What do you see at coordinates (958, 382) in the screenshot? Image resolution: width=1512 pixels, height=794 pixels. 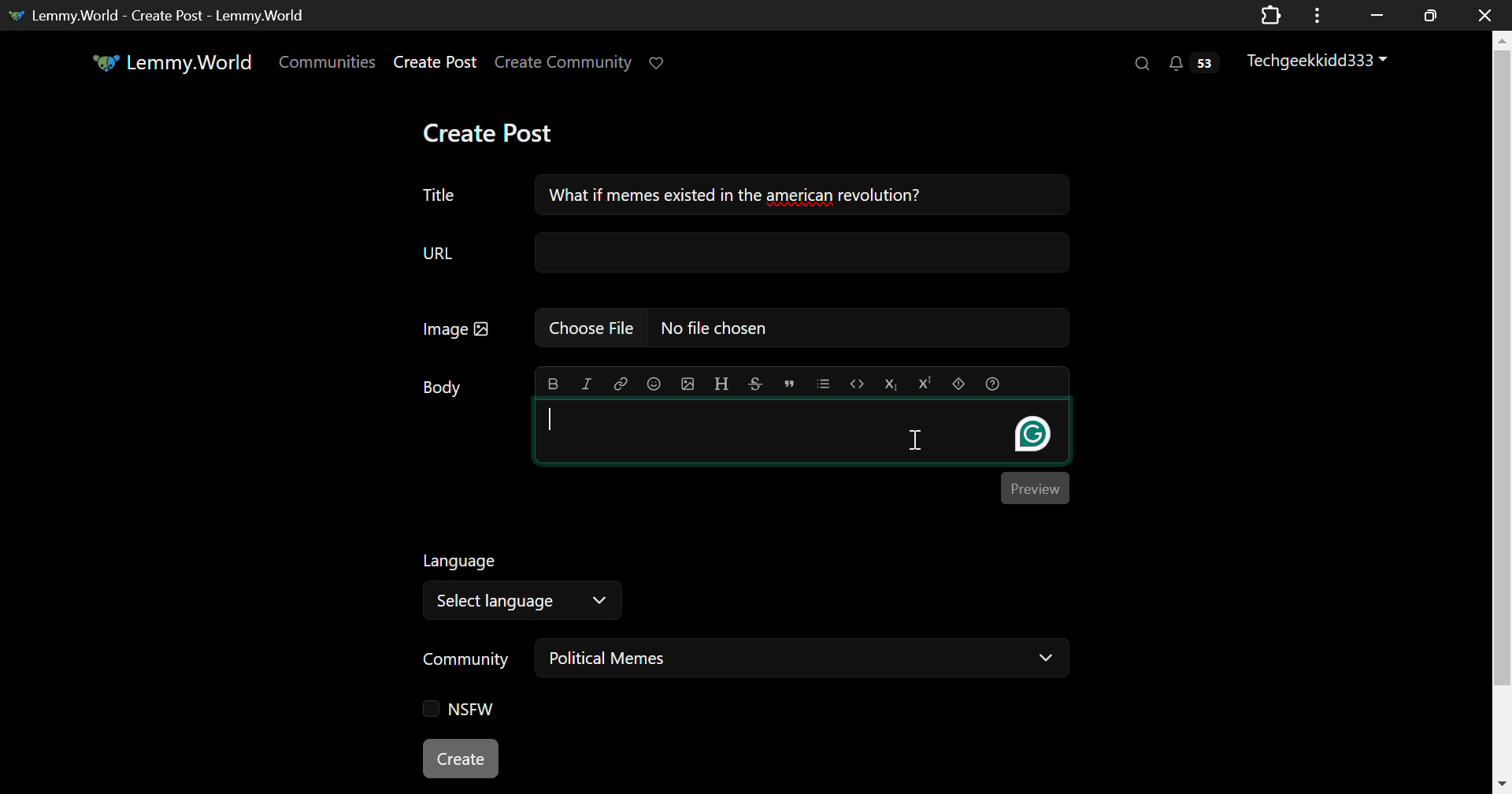 I see `Spoiler` at bounding box center [958, 382].